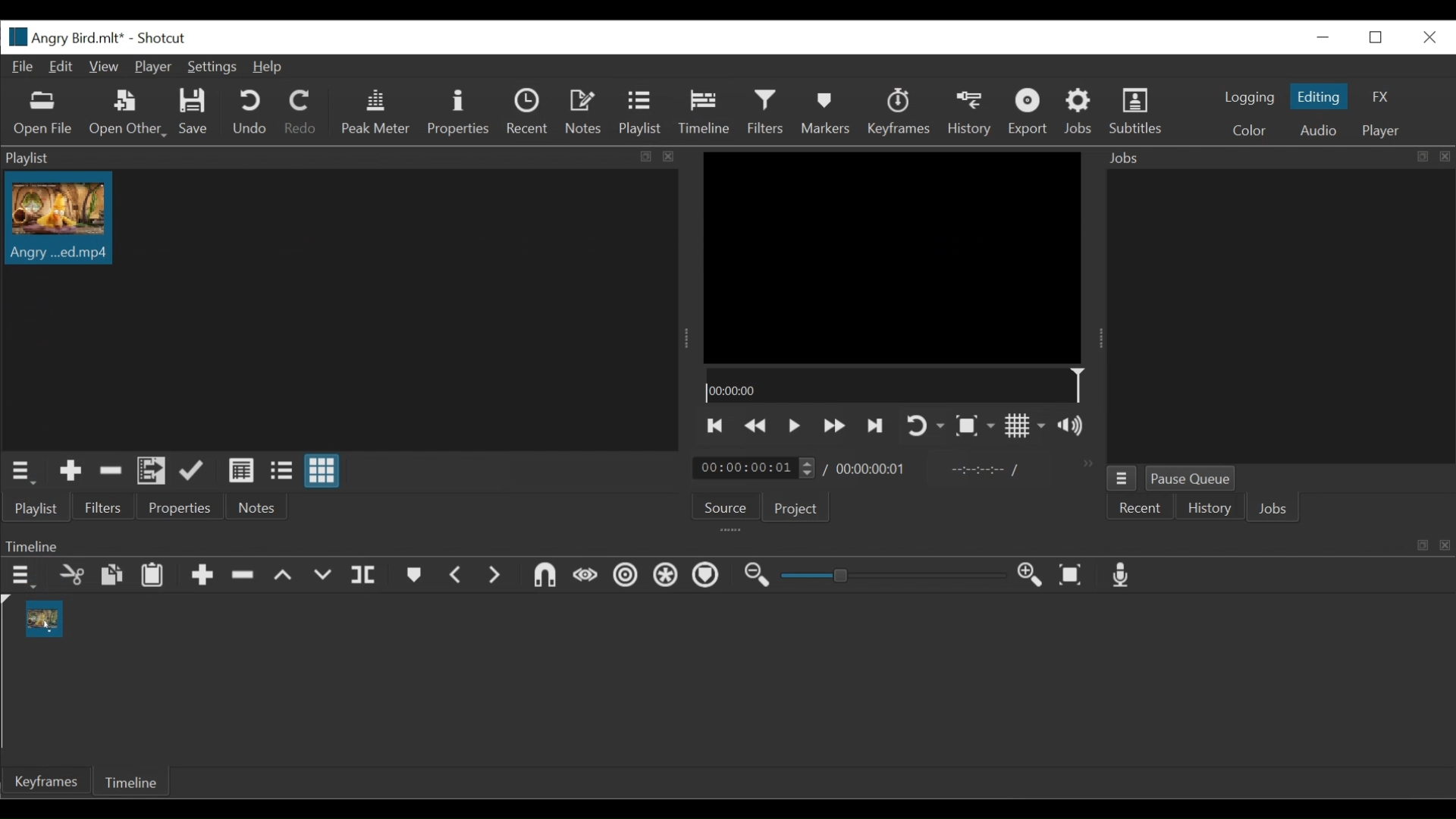 The width and height of the screenshot is (1456, 819). What do you see at coordinates (893, 259) in the screenshot?
I see `Media viewer` at bounding box center [893, 259].